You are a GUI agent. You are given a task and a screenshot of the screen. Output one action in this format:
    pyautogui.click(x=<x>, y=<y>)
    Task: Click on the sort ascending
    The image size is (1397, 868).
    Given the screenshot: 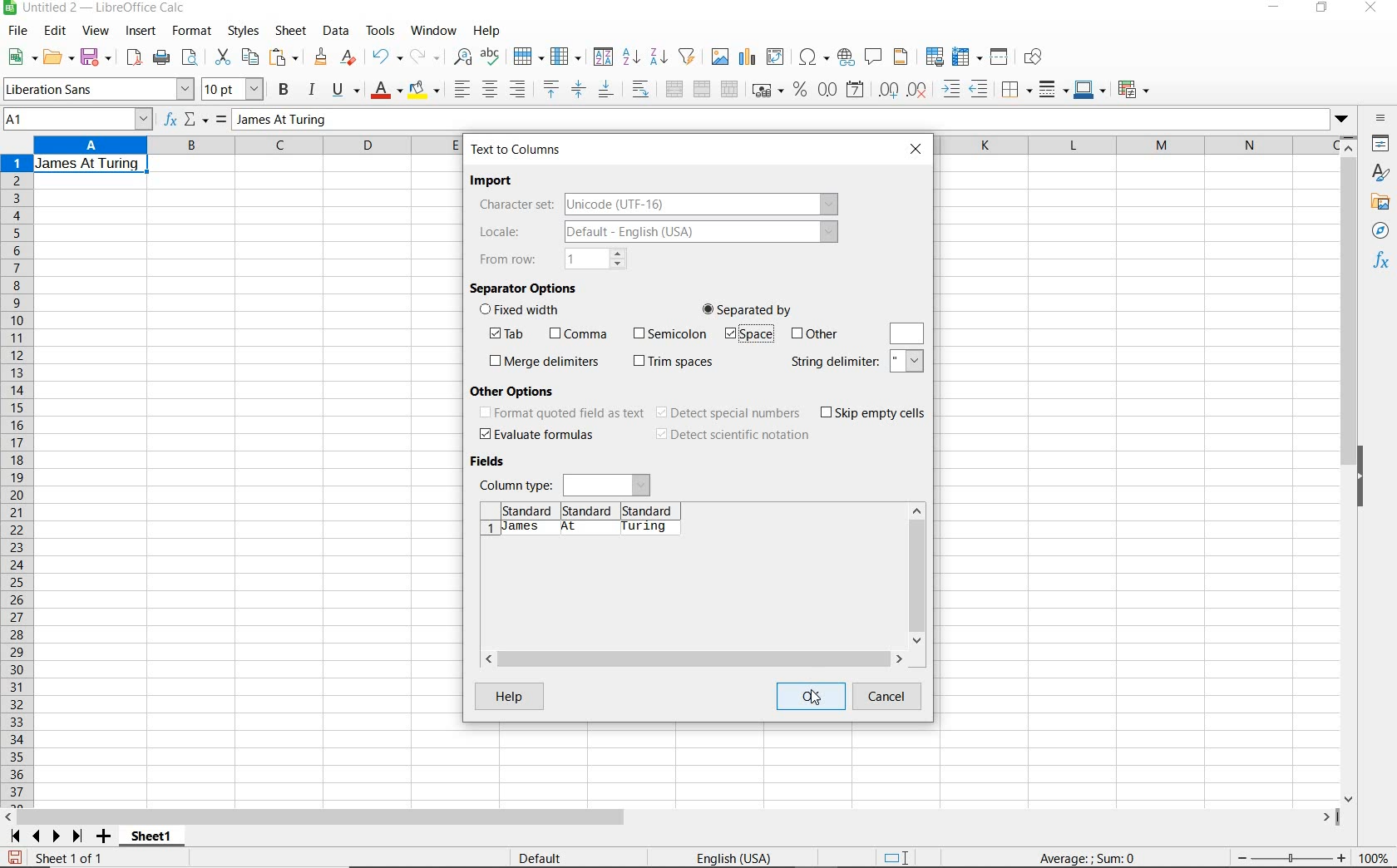 What is the action you would take?
    pyautogui.click(x=630, y=57)
    